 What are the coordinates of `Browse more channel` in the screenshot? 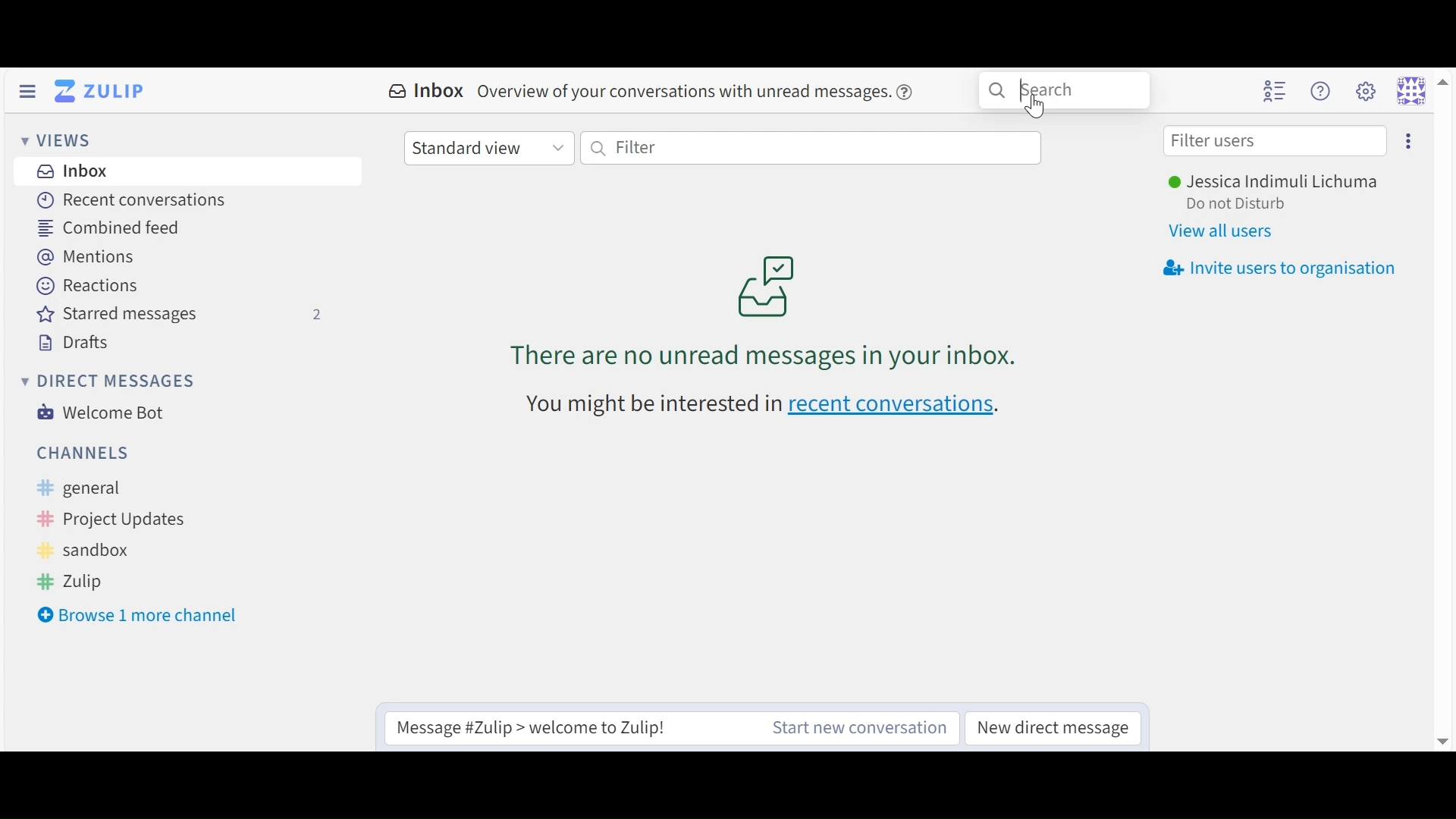 It's located at (142, 617).